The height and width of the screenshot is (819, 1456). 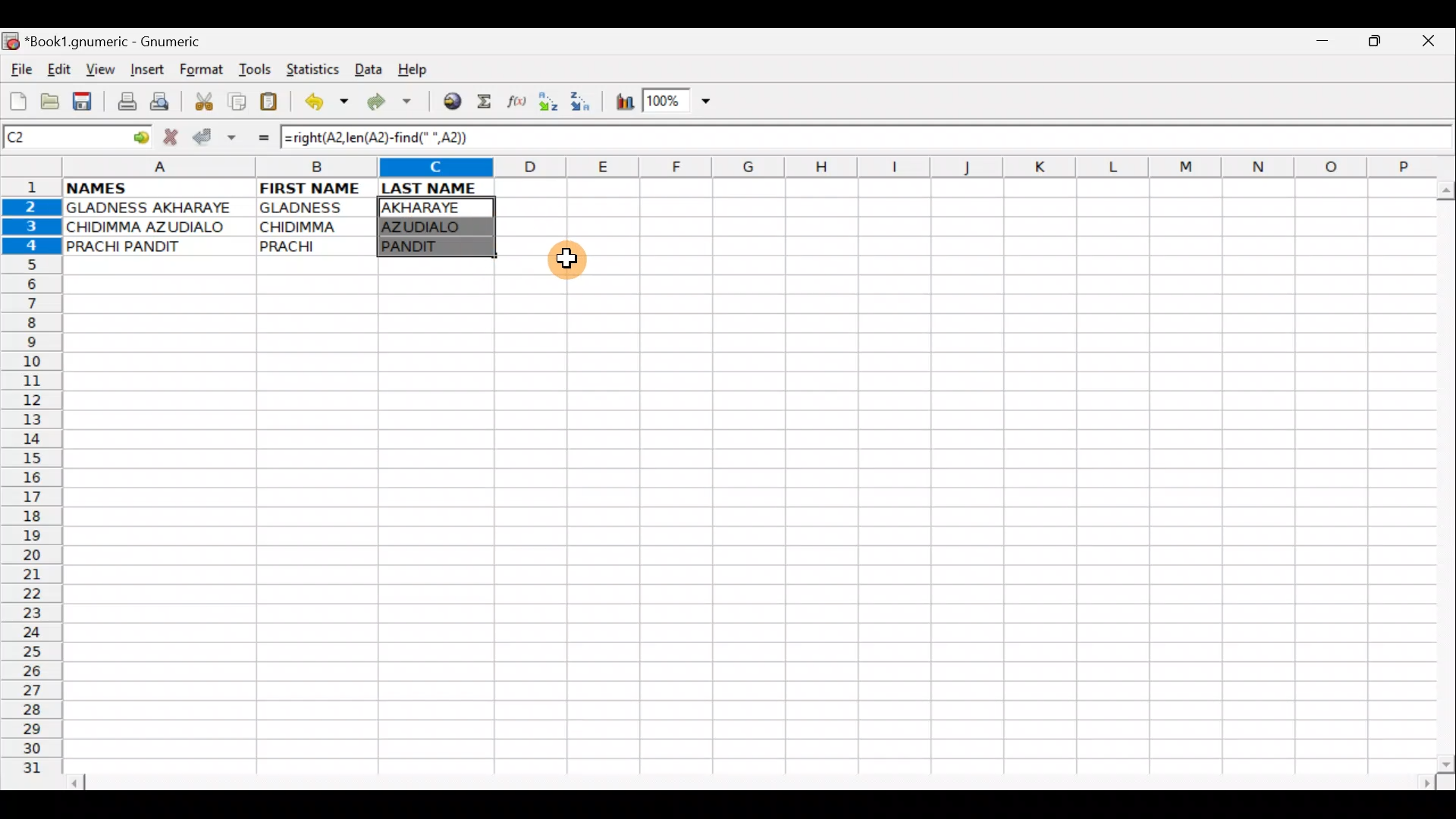 I want to click on Format, so click(x=205, y=71).